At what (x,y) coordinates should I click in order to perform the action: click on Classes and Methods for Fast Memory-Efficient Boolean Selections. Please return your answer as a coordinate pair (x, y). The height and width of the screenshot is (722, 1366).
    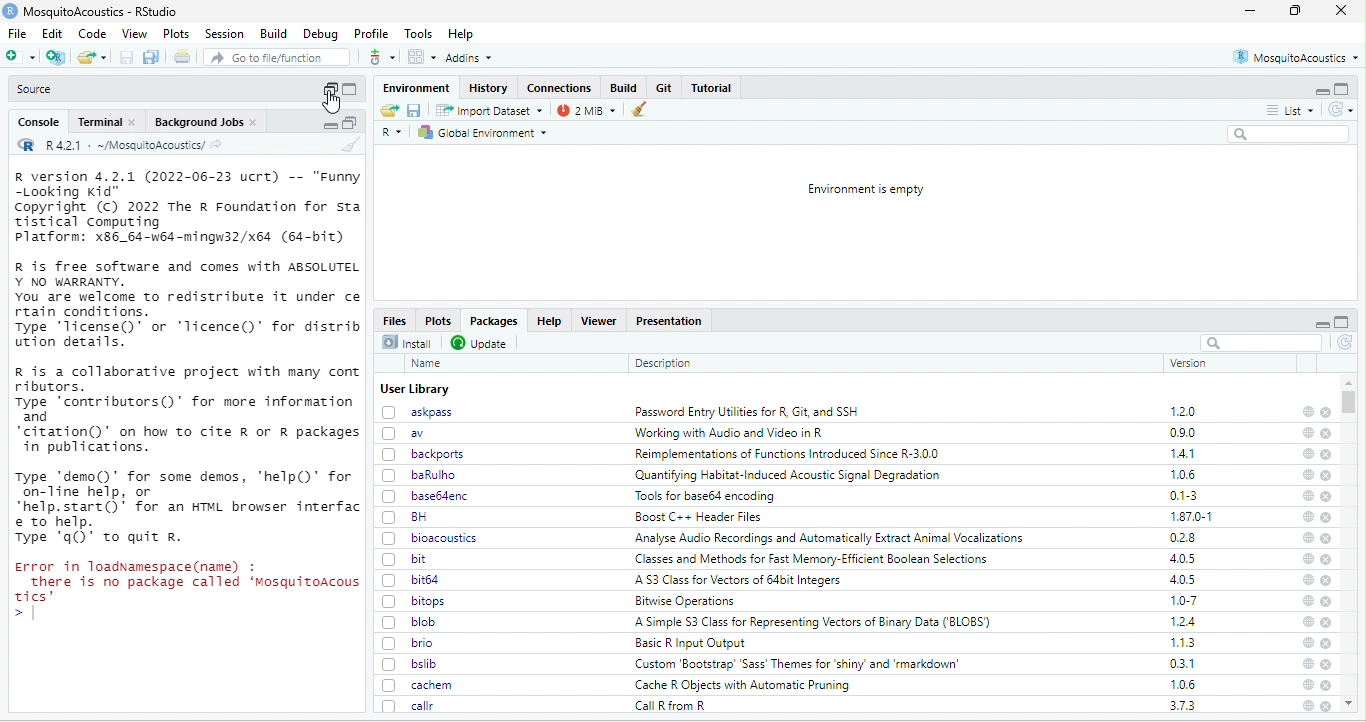
    Looking at the image, I should click on (810, 559).